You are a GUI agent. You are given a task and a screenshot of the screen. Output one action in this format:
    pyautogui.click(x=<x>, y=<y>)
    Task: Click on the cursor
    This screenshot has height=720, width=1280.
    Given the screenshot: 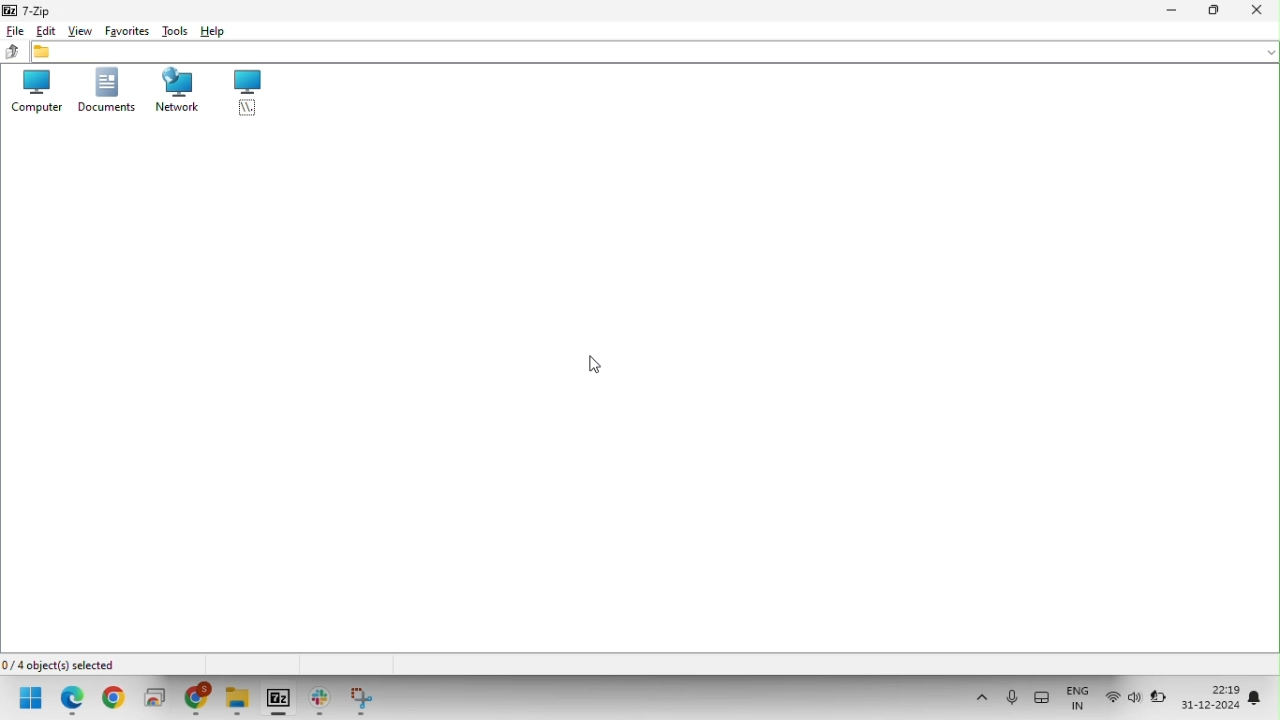 What is the action you would take?
    pyautogui.click(x=597, y=362)
    